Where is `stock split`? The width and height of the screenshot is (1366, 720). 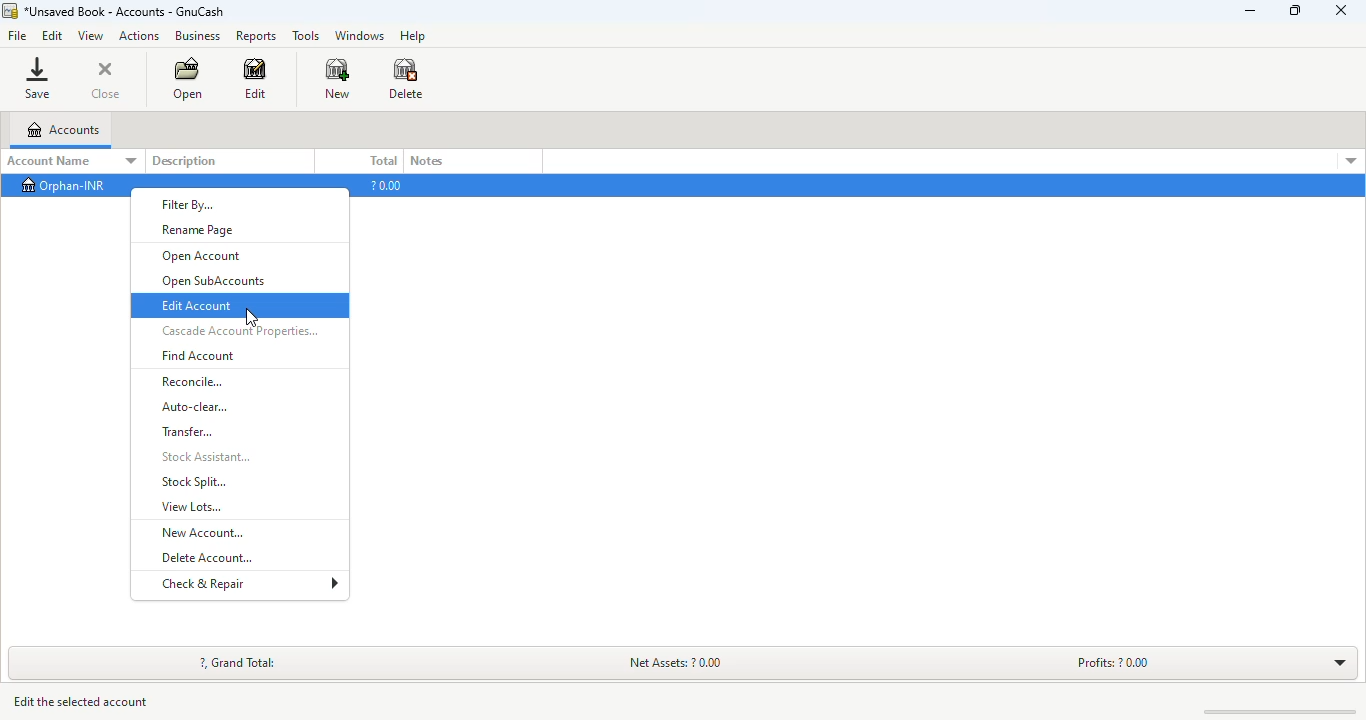 stock split is located at coordinates (195, 482).